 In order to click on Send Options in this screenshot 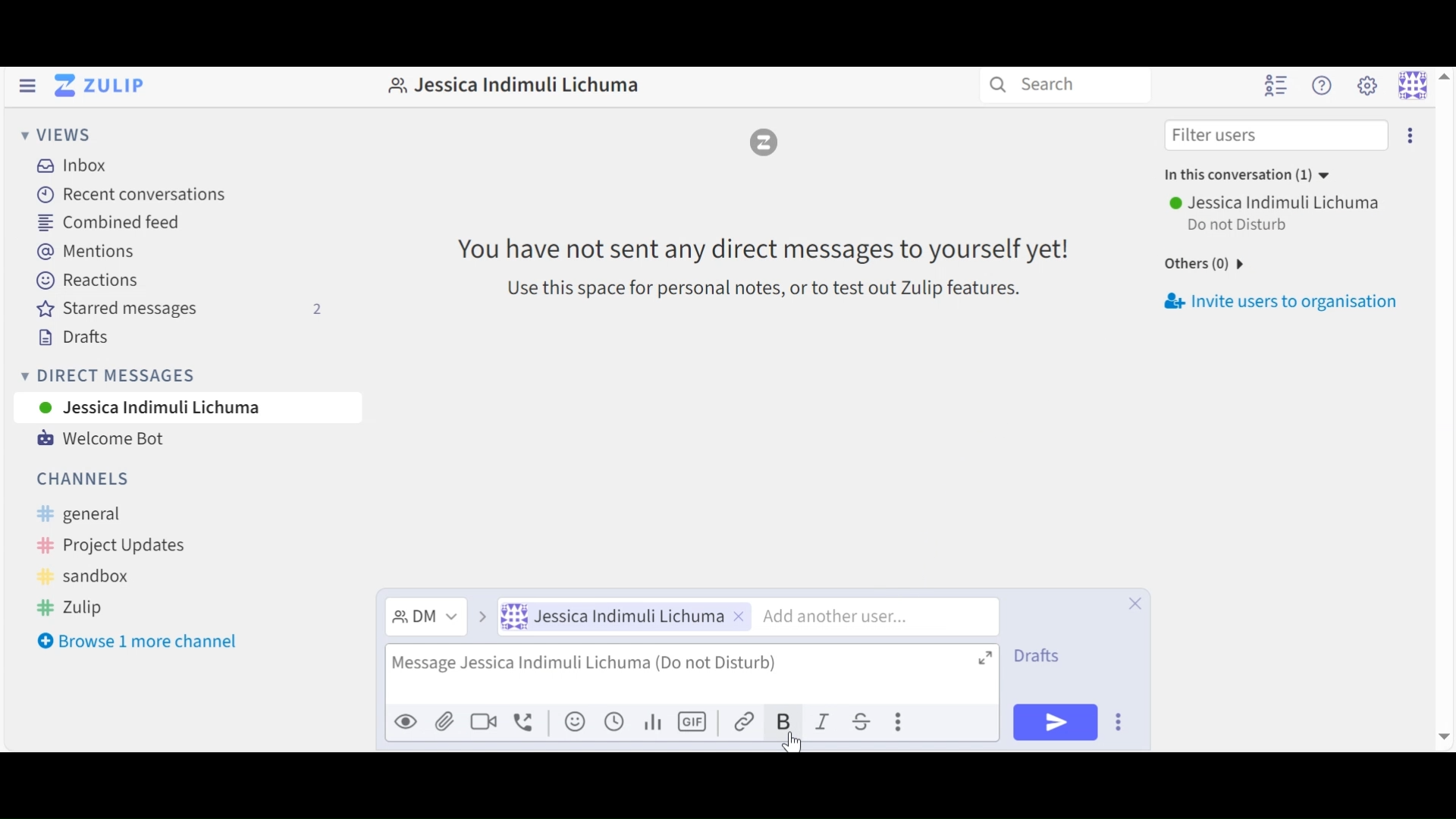, I will do `click(1121, 721)`.